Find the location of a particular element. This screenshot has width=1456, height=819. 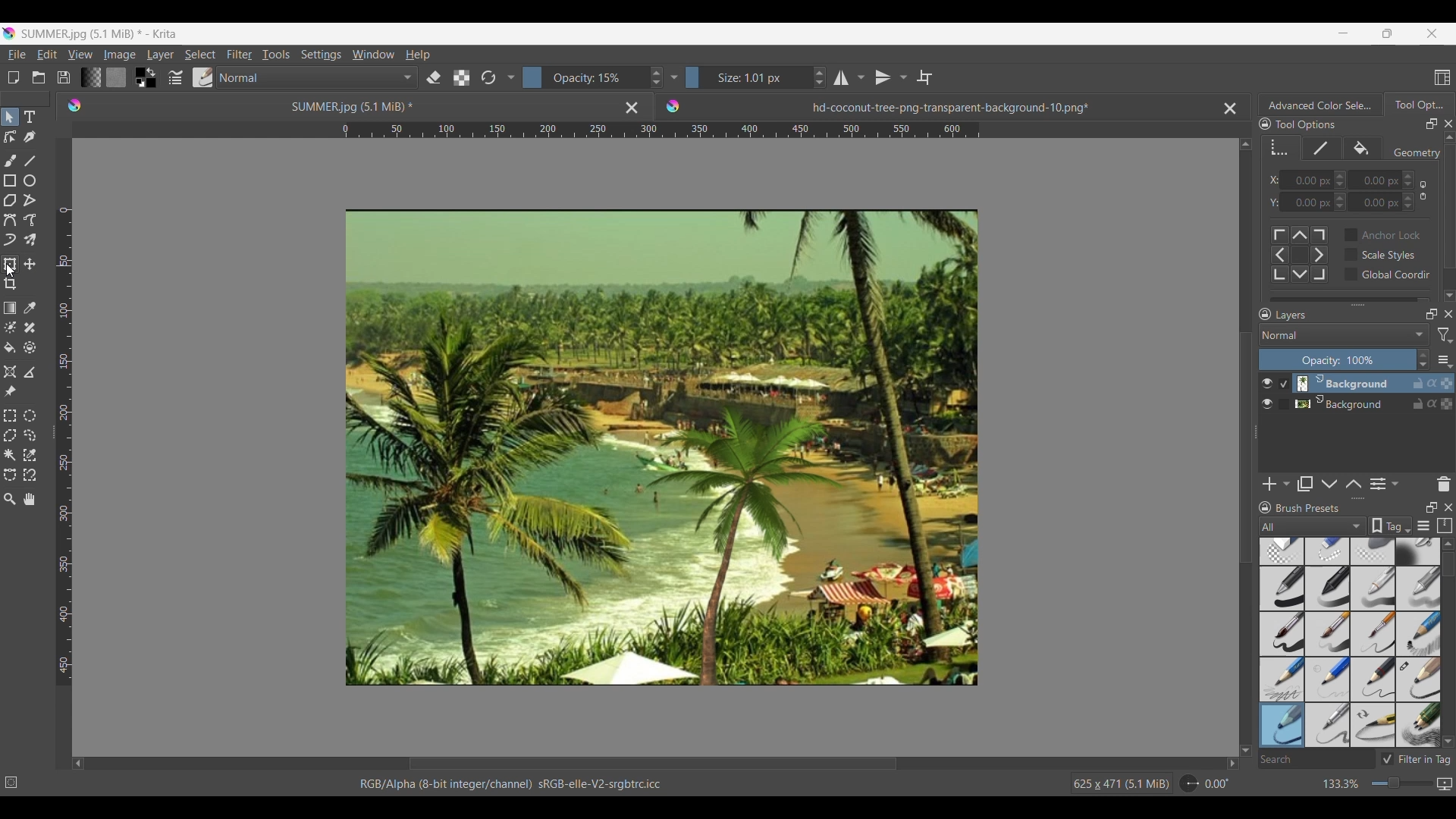

Choose brush preset is located at coordinates (202, 77).